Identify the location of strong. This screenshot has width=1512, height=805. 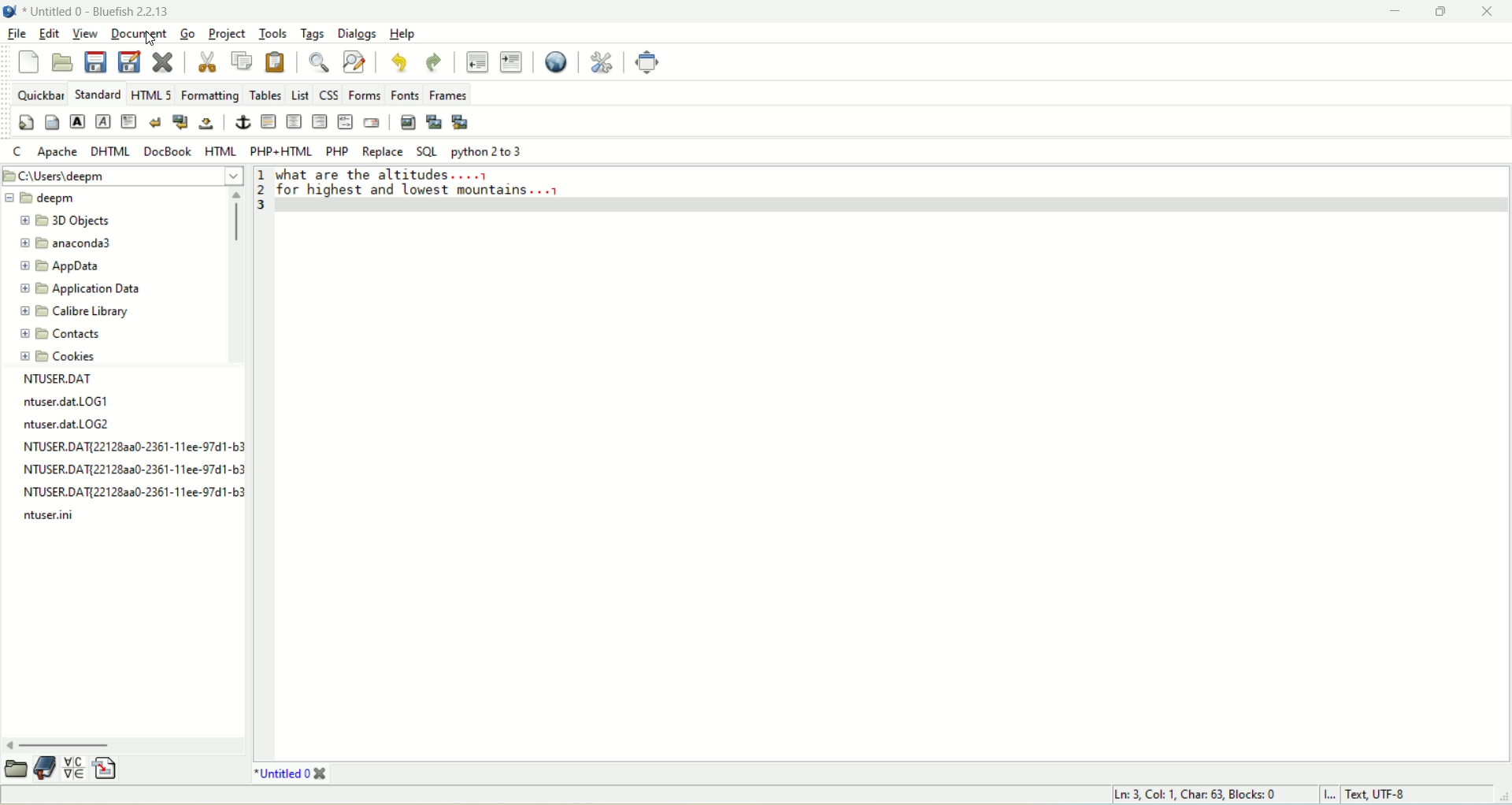
(78, 121).